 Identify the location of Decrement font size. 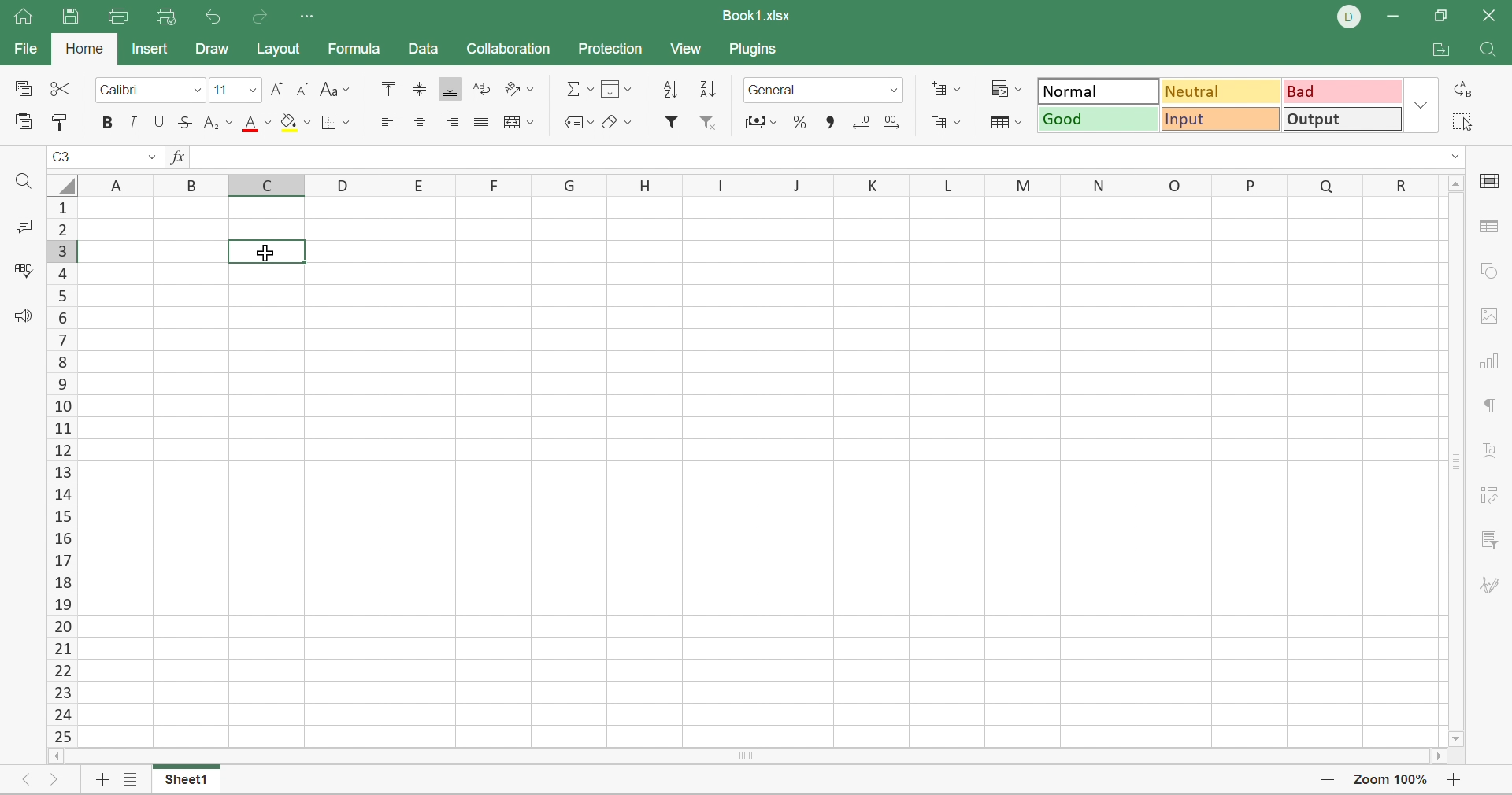
(304, 90).